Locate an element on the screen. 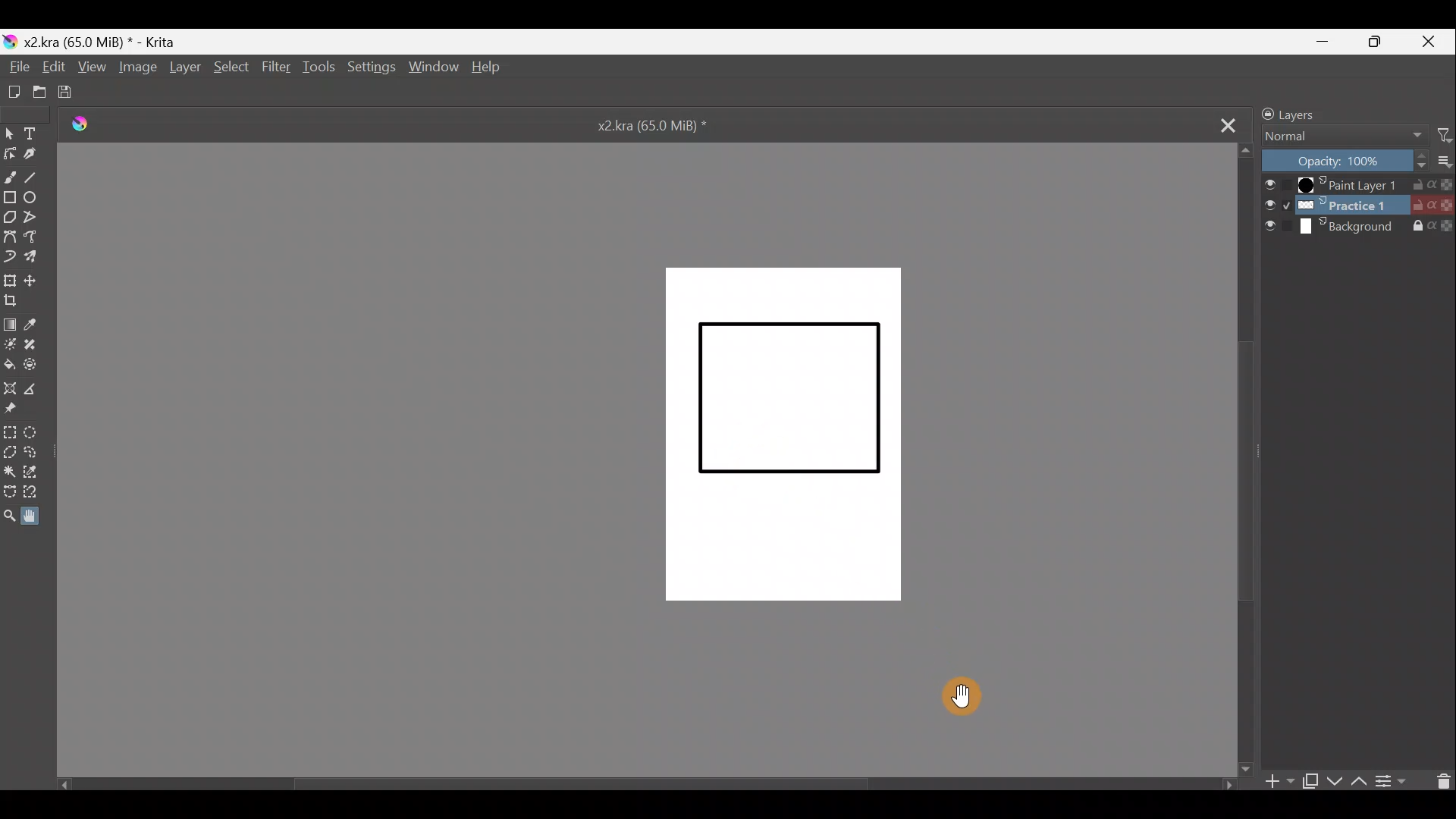  Select shapes tool is located at coordinates (9, 134).